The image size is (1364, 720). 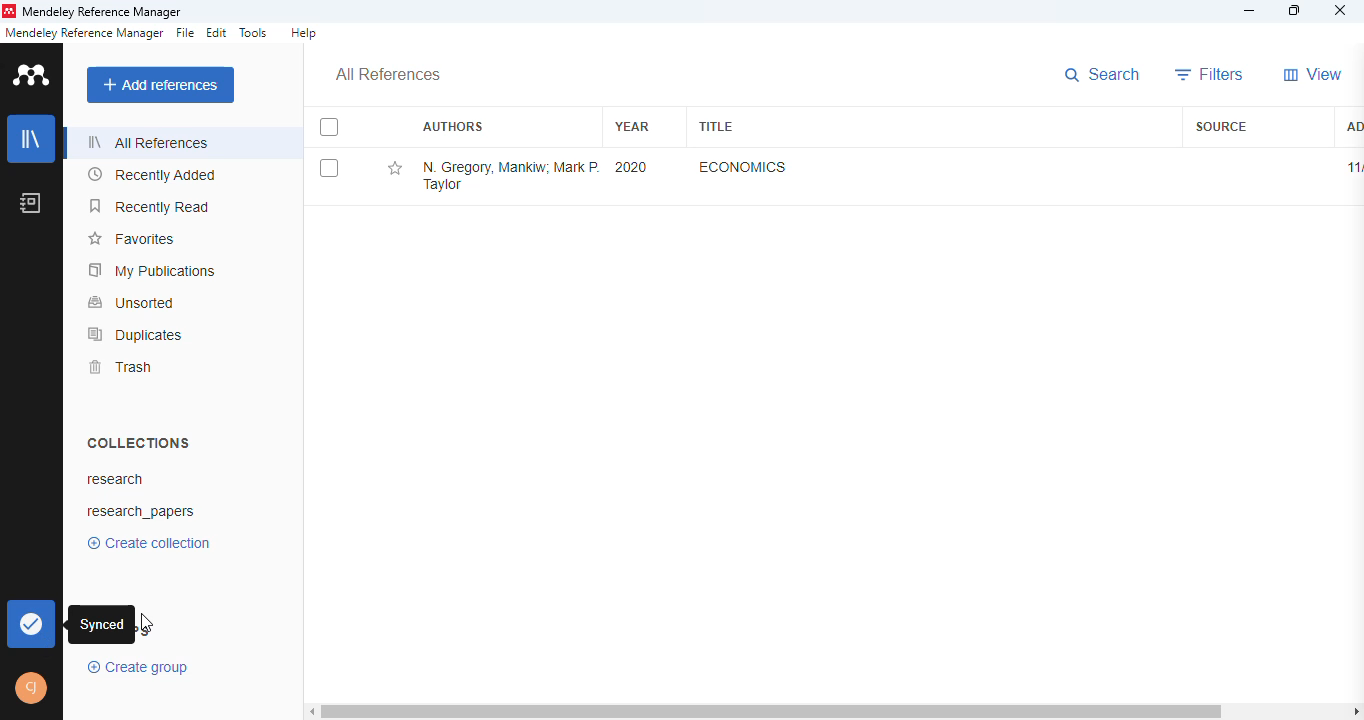 What do you see at coordinates (152, 206) in the screenshot?
I see `recently read` at bounding box center [152, 206].